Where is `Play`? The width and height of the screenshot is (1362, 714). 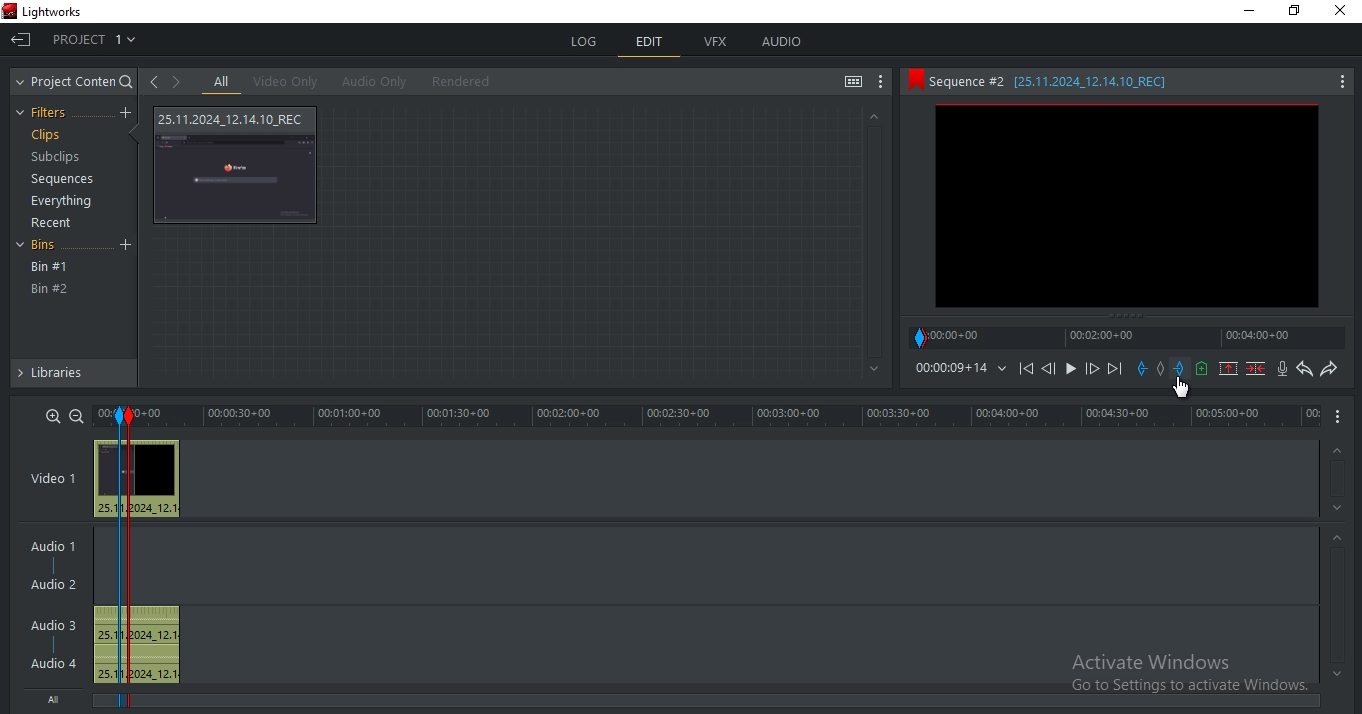 Play is located at coordinates (1071, 368).